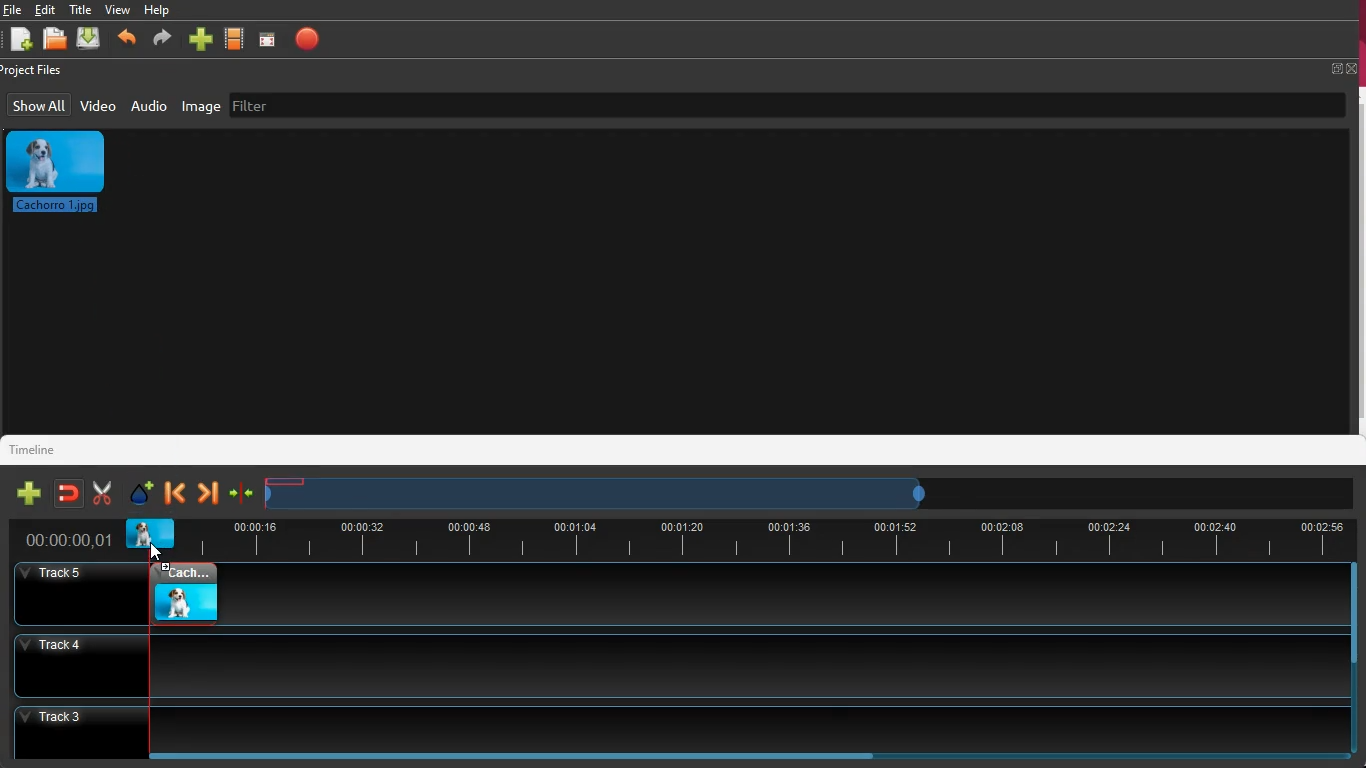 The height and width of the screenshot is (768, 1366). I want to click on timeline, so click(791, 537).